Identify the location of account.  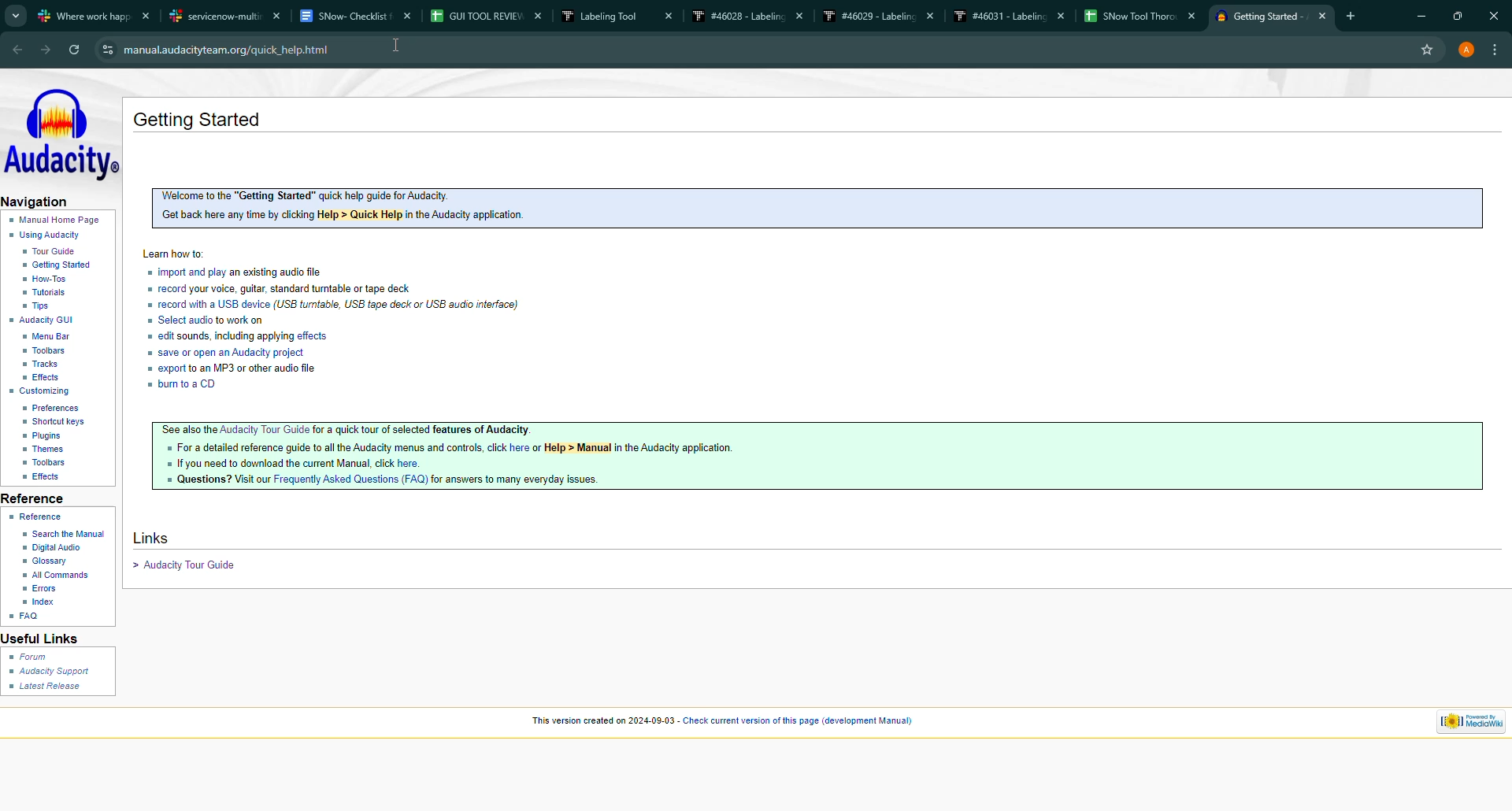
(1465, 49).